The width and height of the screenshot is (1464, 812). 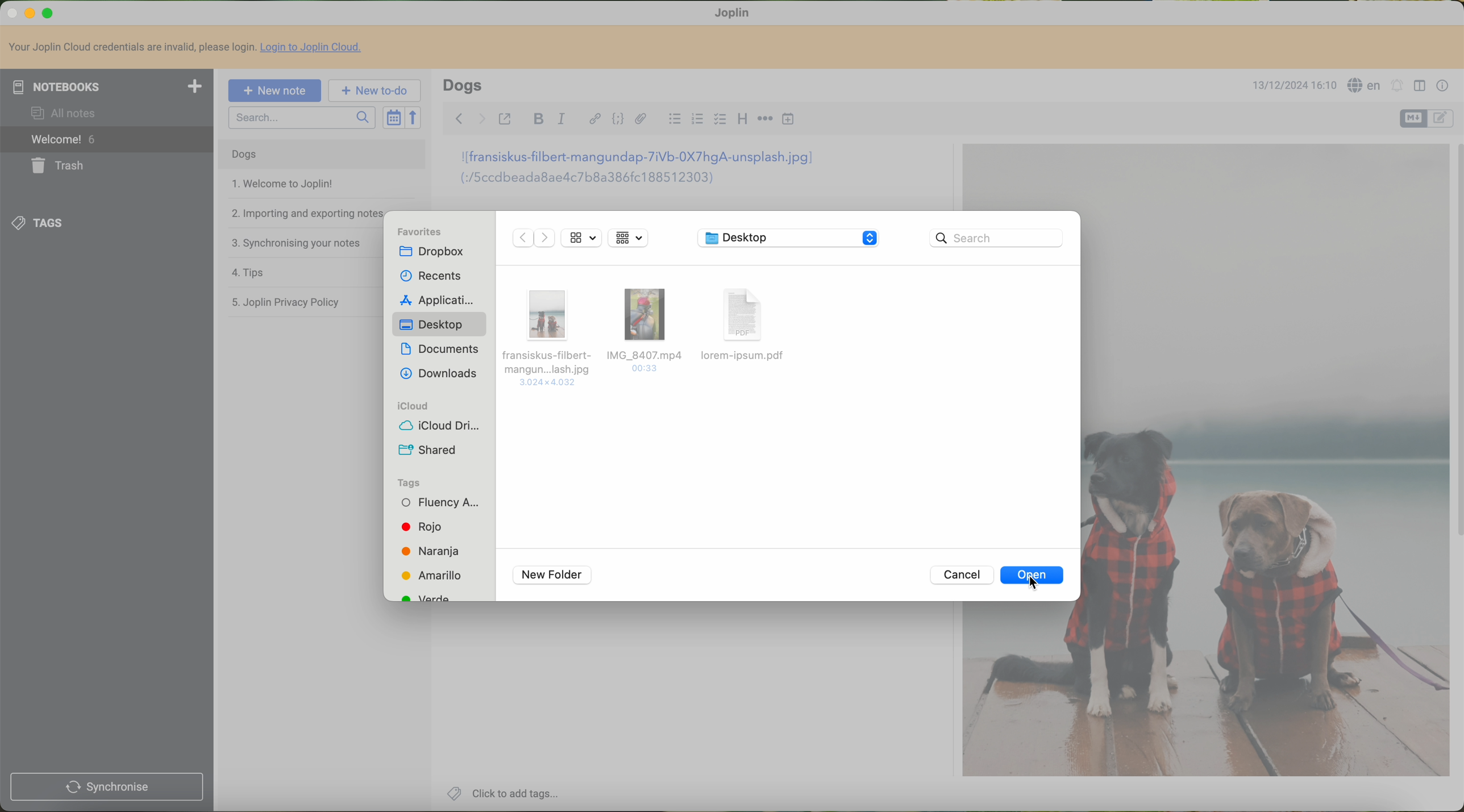 What do you see at coordinates (960, 576) in the screenshot?
I see `cancel button` at bounding box center [960, 576].